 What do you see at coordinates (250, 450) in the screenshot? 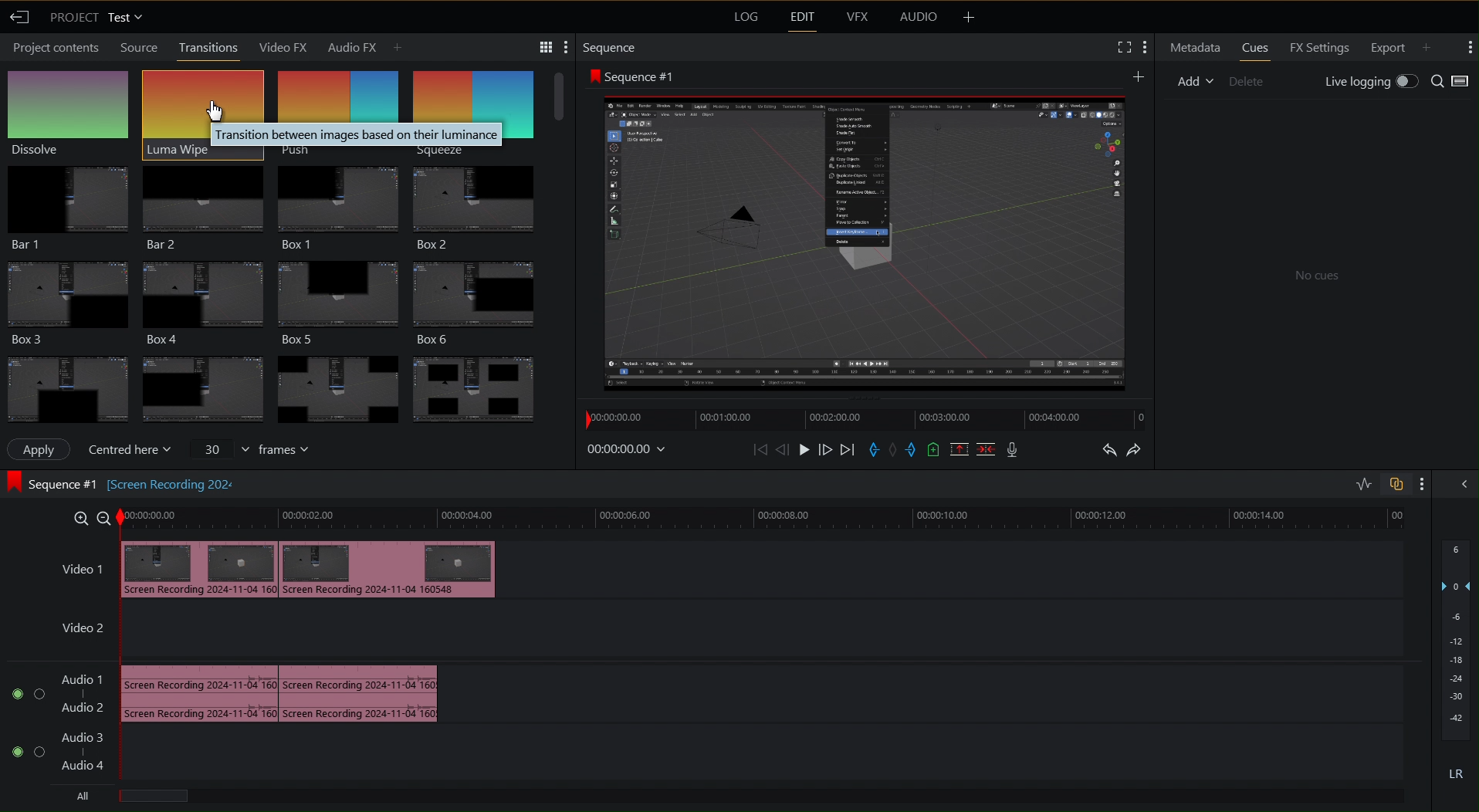
I see `frames` at bounding box center [250, 450].